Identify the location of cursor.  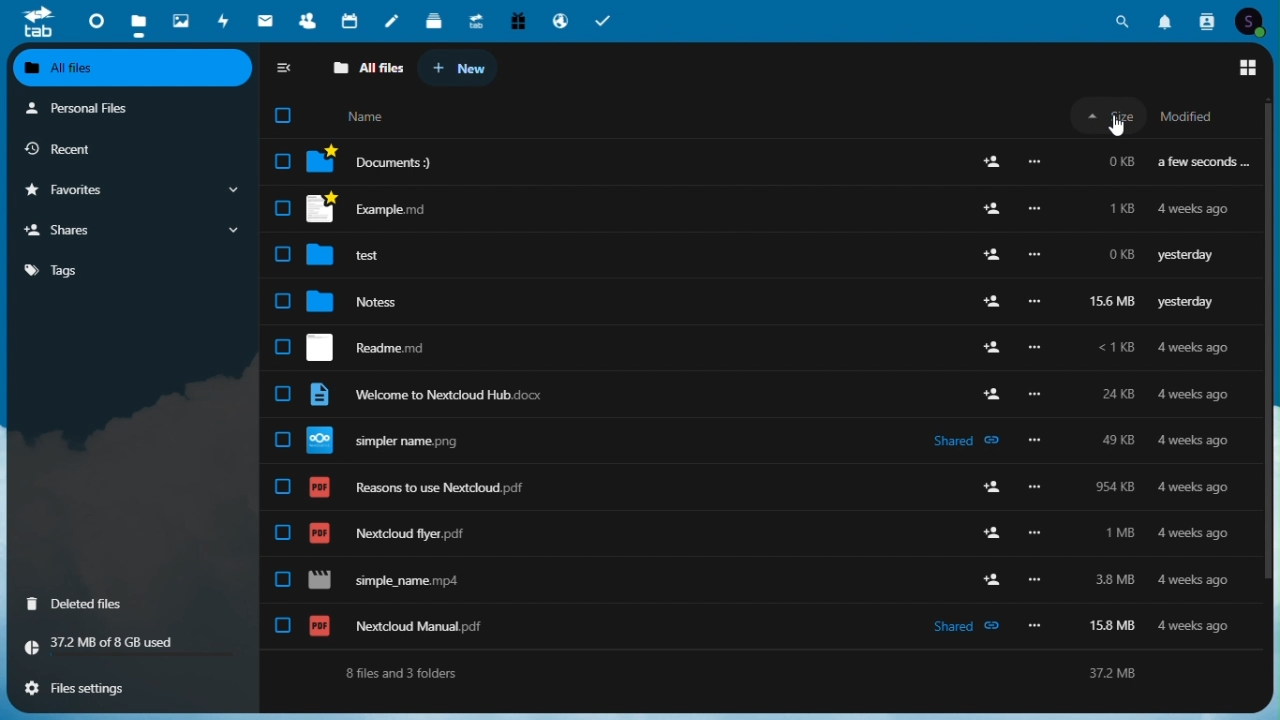
(1119, 126).